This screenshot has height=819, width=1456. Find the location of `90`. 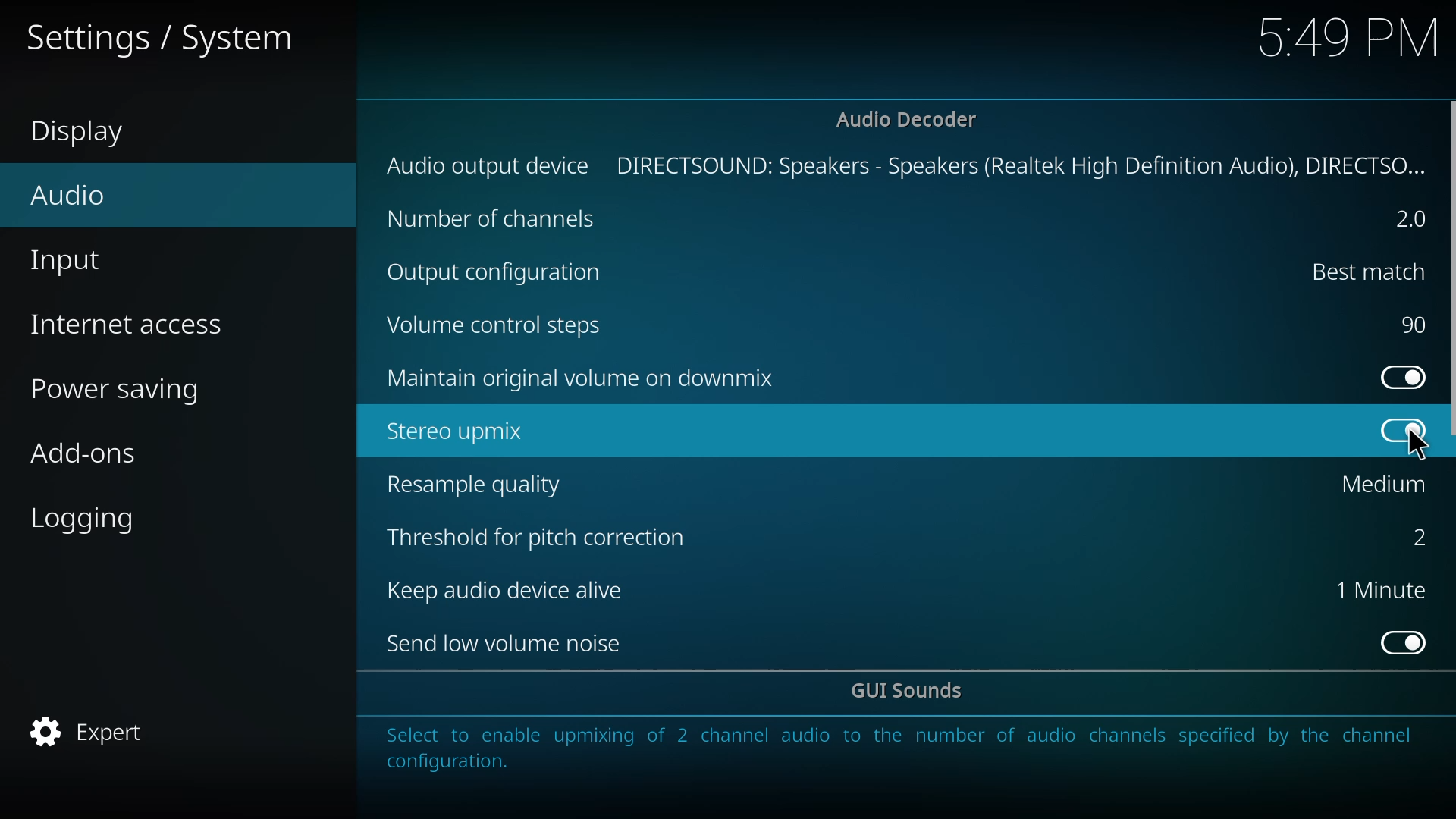

90 is located at coordinates (1417, 325).